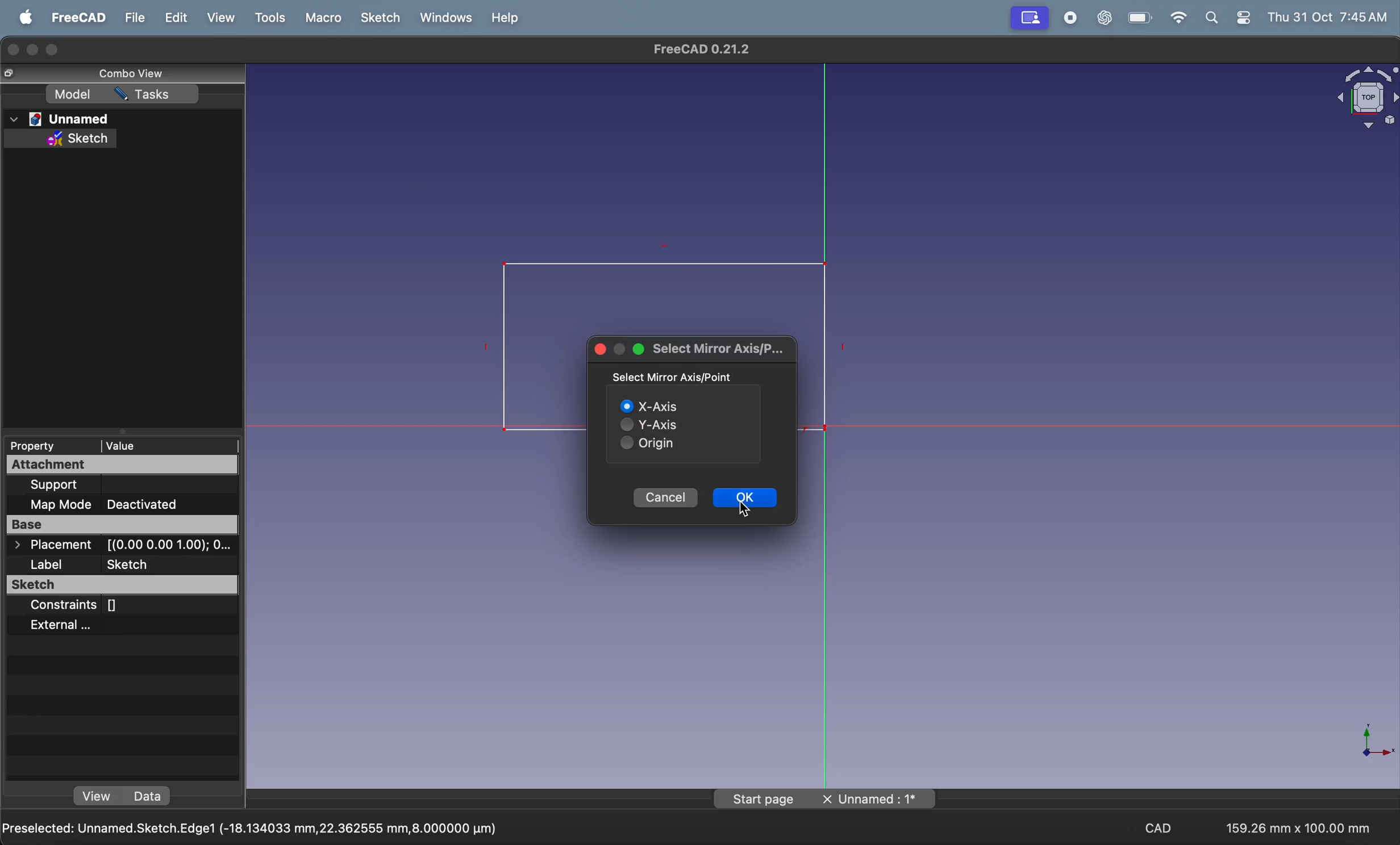  Describe the element at coordinates (20, 18) in the screenshot. I see `apple menu` at that location.